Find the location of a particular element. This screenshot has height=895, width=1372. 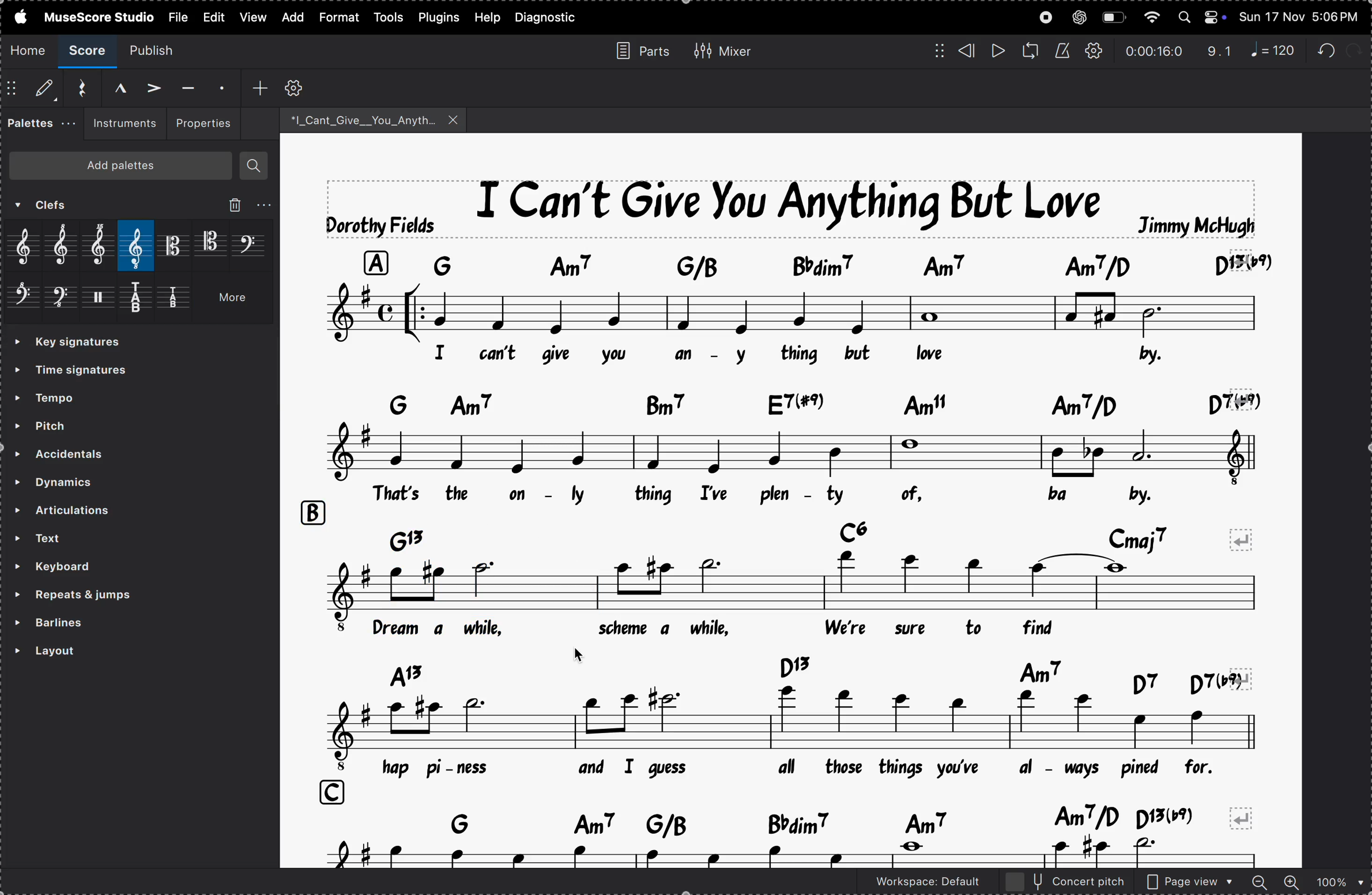

percussion is located at coordinates (103, 302).